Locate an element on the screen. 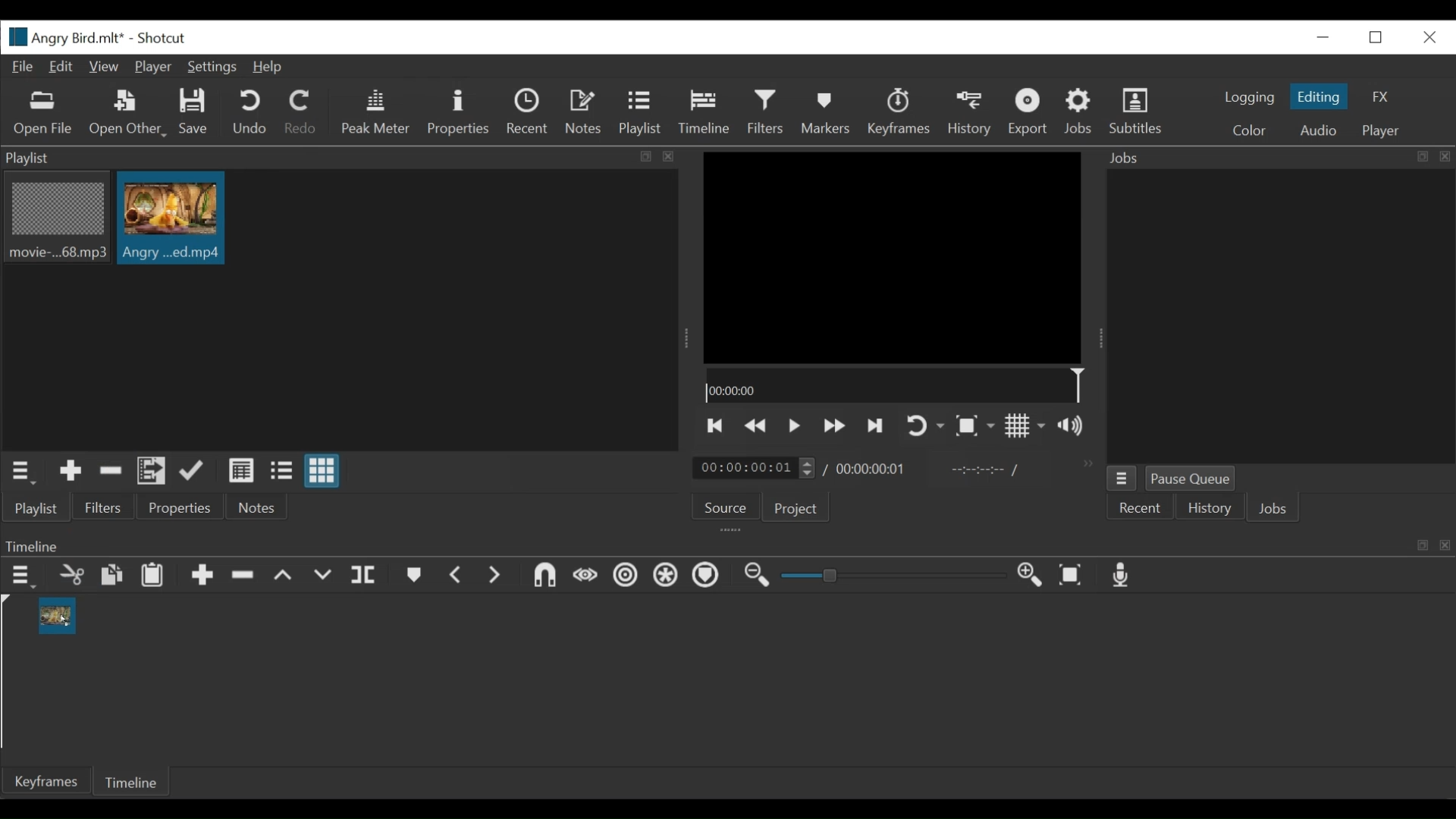  Undo is located at coordinates (249, 113).